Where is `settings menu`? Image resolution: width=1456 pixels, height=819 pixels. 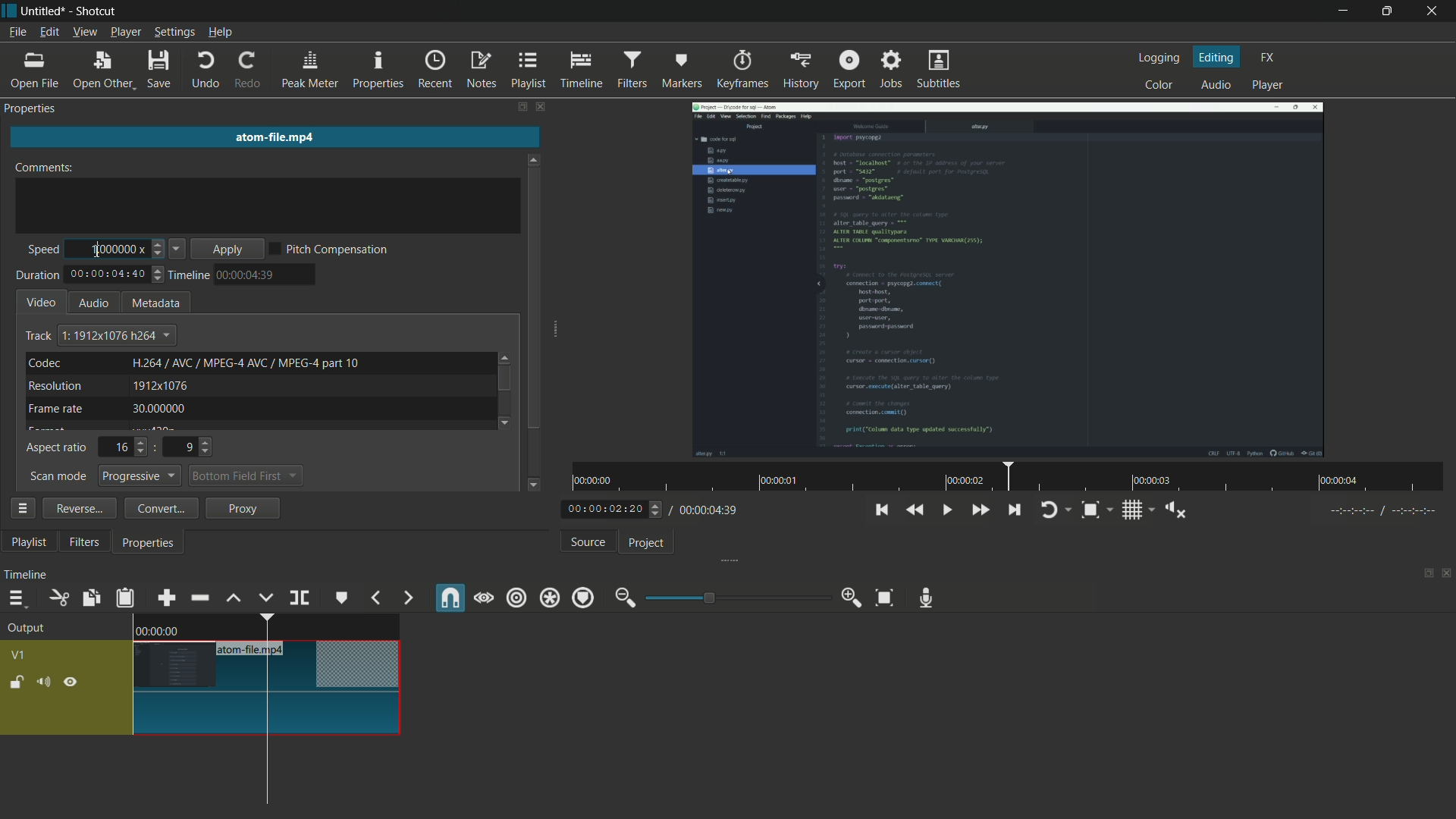 settings menu is located at coordinates (175, 33).